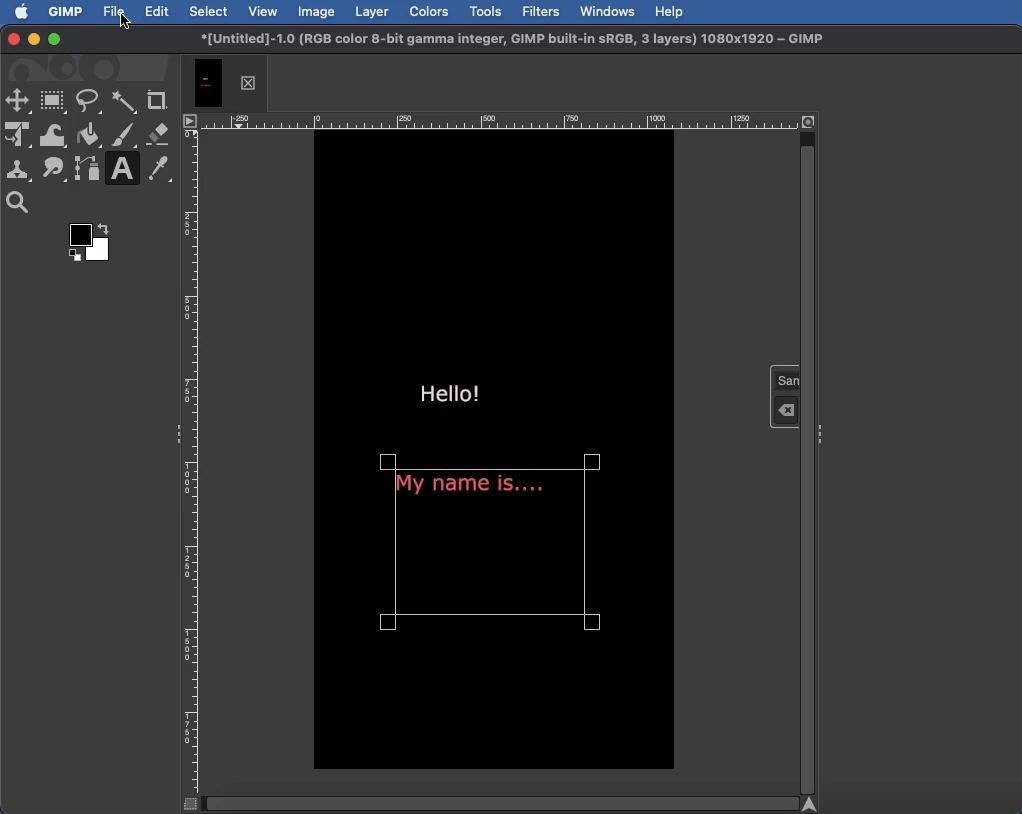  What do you see at coordinates (208, 12) in the screenshot?
I see `Select` at bounding box center [208, 12].